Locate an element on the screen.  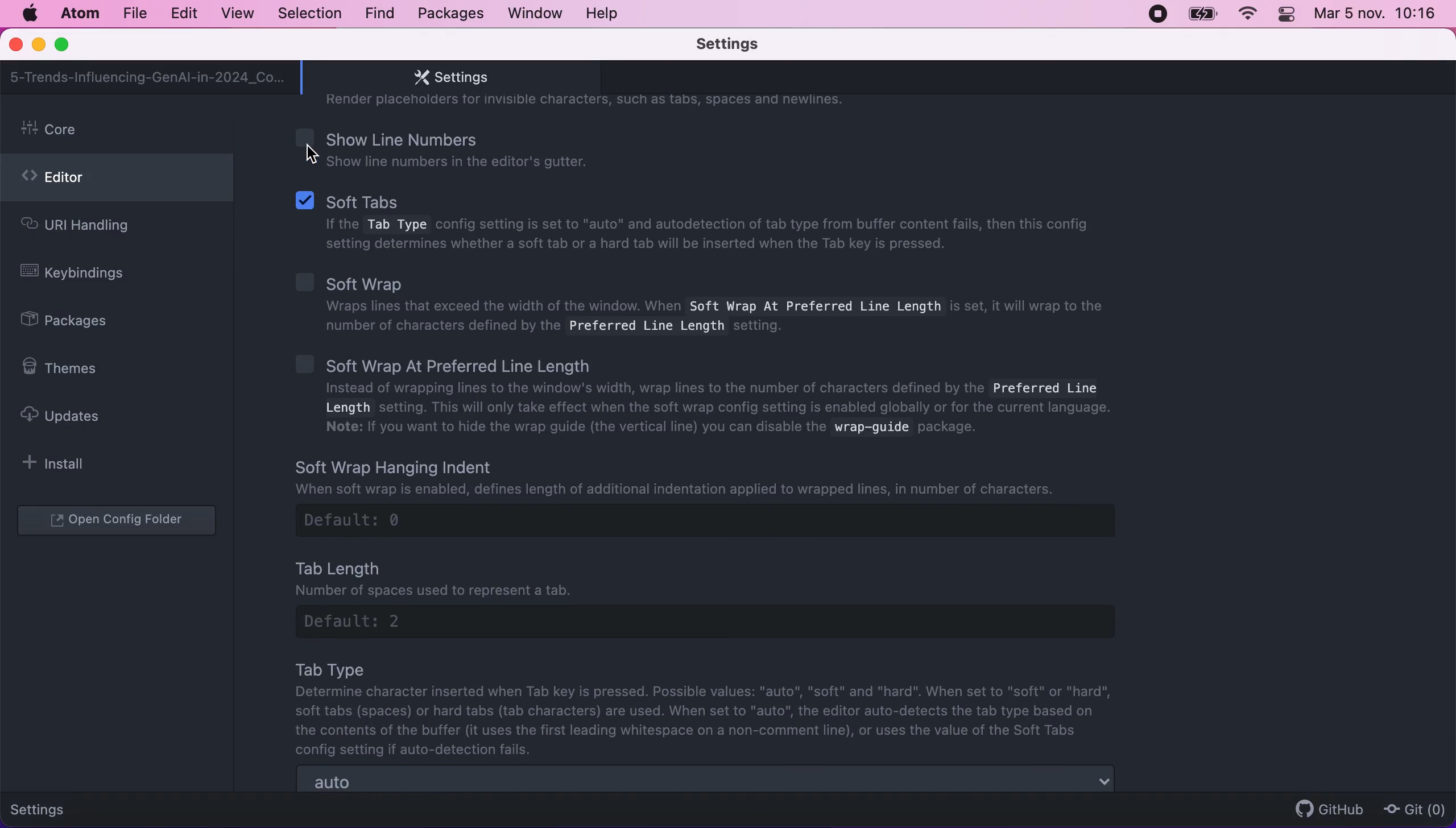
maximize is located at coordinates (67, 45).